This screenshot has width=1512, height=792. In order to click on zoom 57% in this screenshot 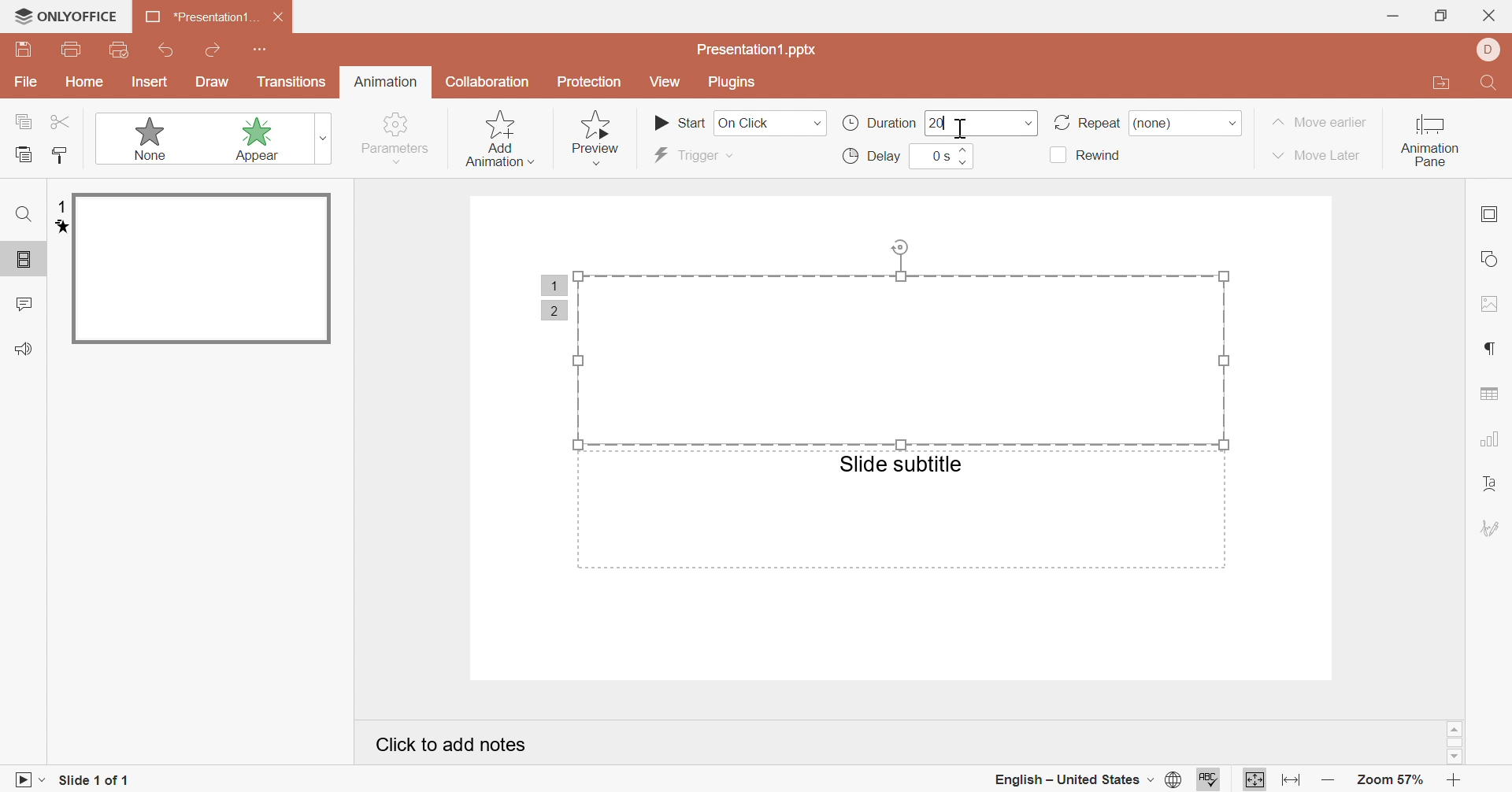, I will do `click(1392, 780)`.